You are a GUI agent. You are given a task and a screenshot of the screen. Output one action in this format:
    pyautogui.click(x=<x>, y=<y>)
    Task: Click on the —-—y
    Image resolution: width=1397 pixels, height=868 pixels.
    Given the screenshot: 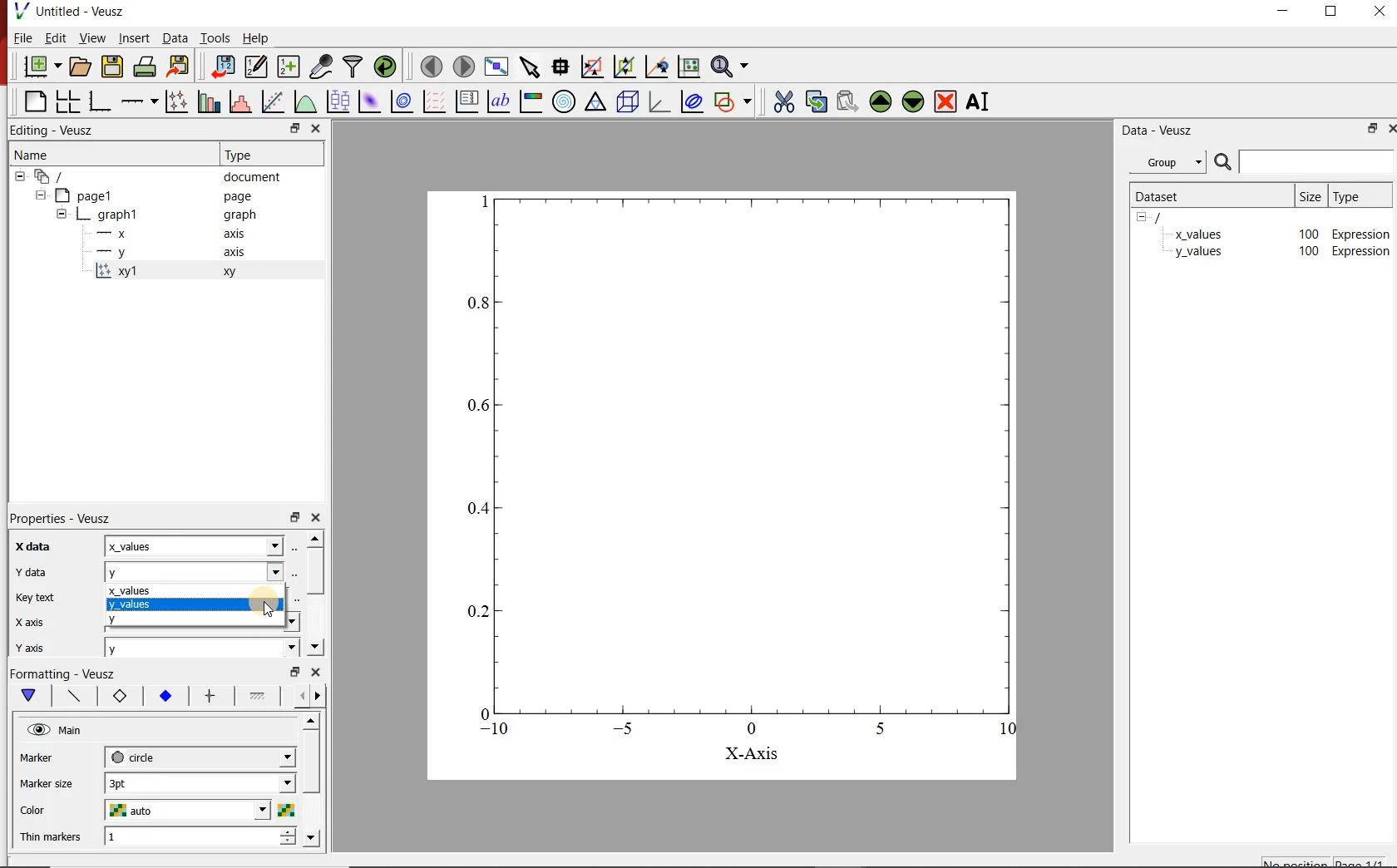 What is the action you would take?
    pyautogui.click(x=111, y=253)
    